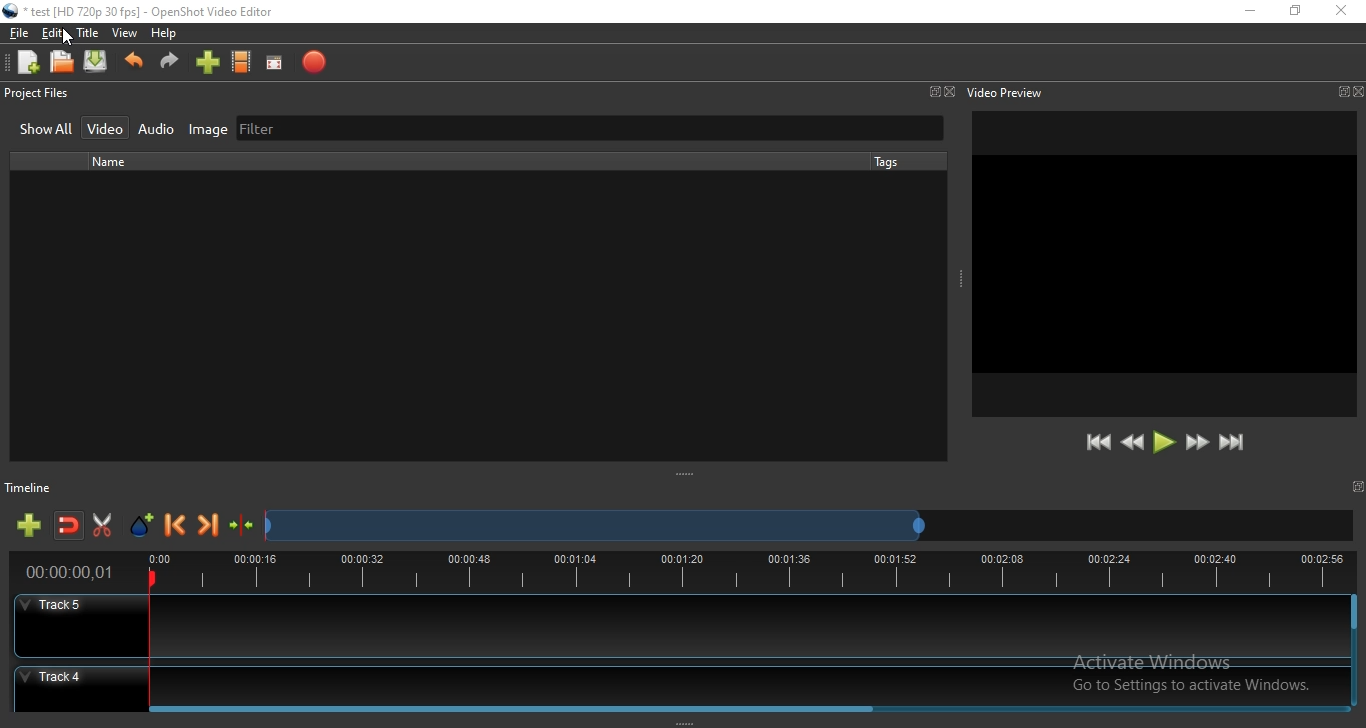  I want to click on Choose profiles, so click(242, 63).